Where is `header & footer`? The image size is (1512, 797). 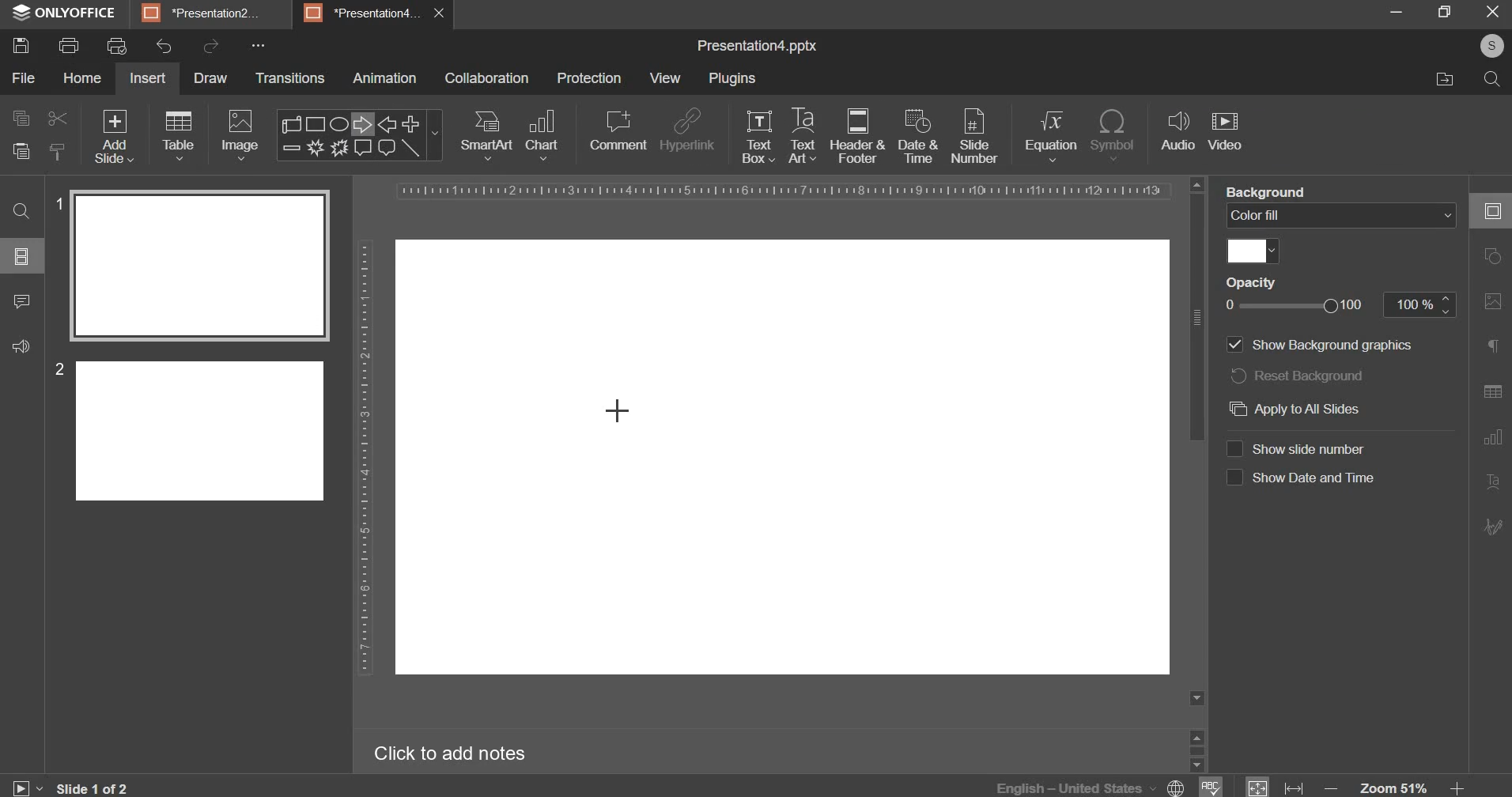
header & footer is located at coordinates (857, 137).